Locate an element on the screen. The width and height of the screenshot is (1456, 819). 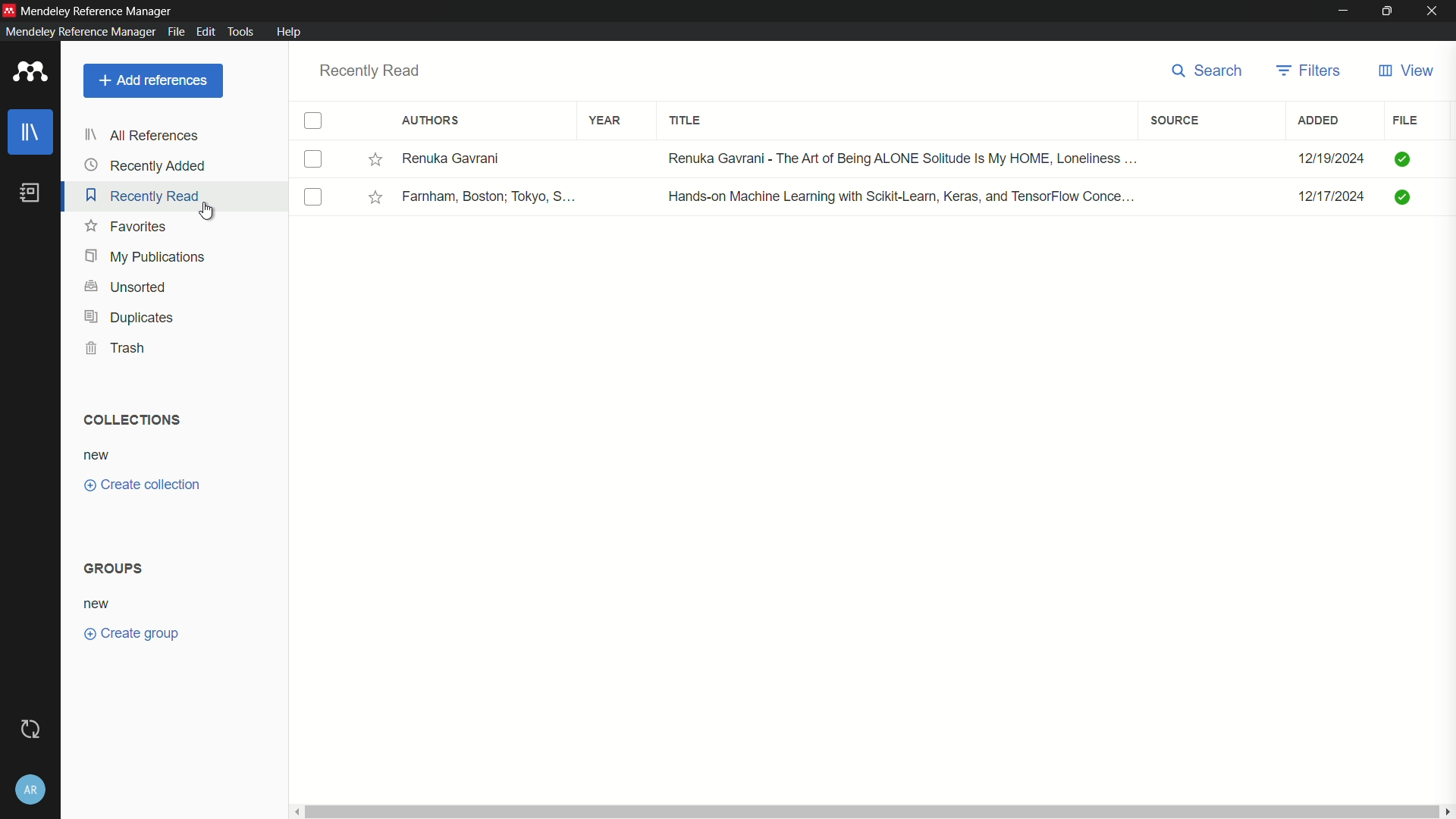
Hands-on Machine Learning is located at coordinates (896, 199).